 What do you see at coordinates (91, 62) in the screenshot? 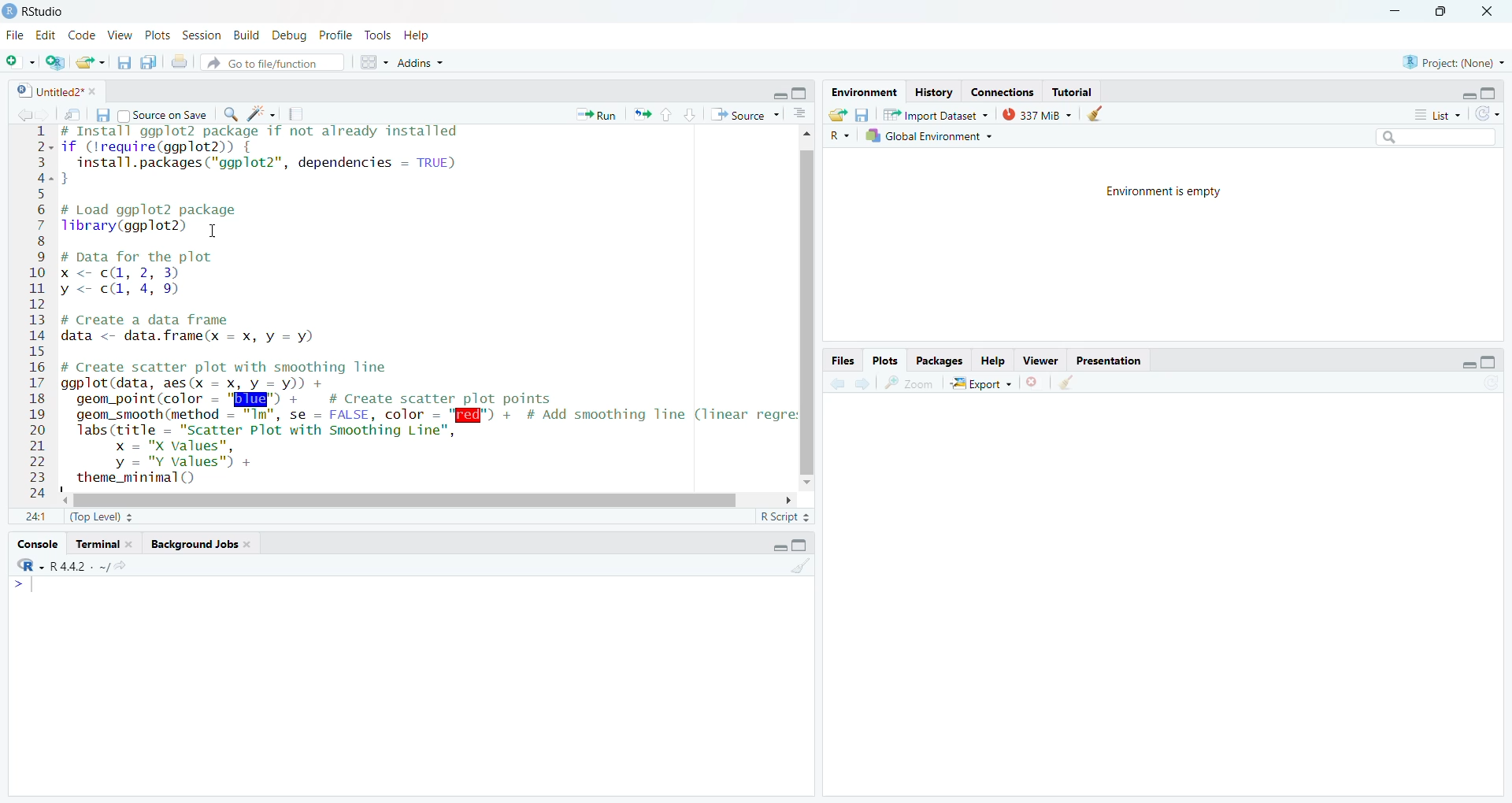
I see `open an existing file` at bounding box center [91, 62].